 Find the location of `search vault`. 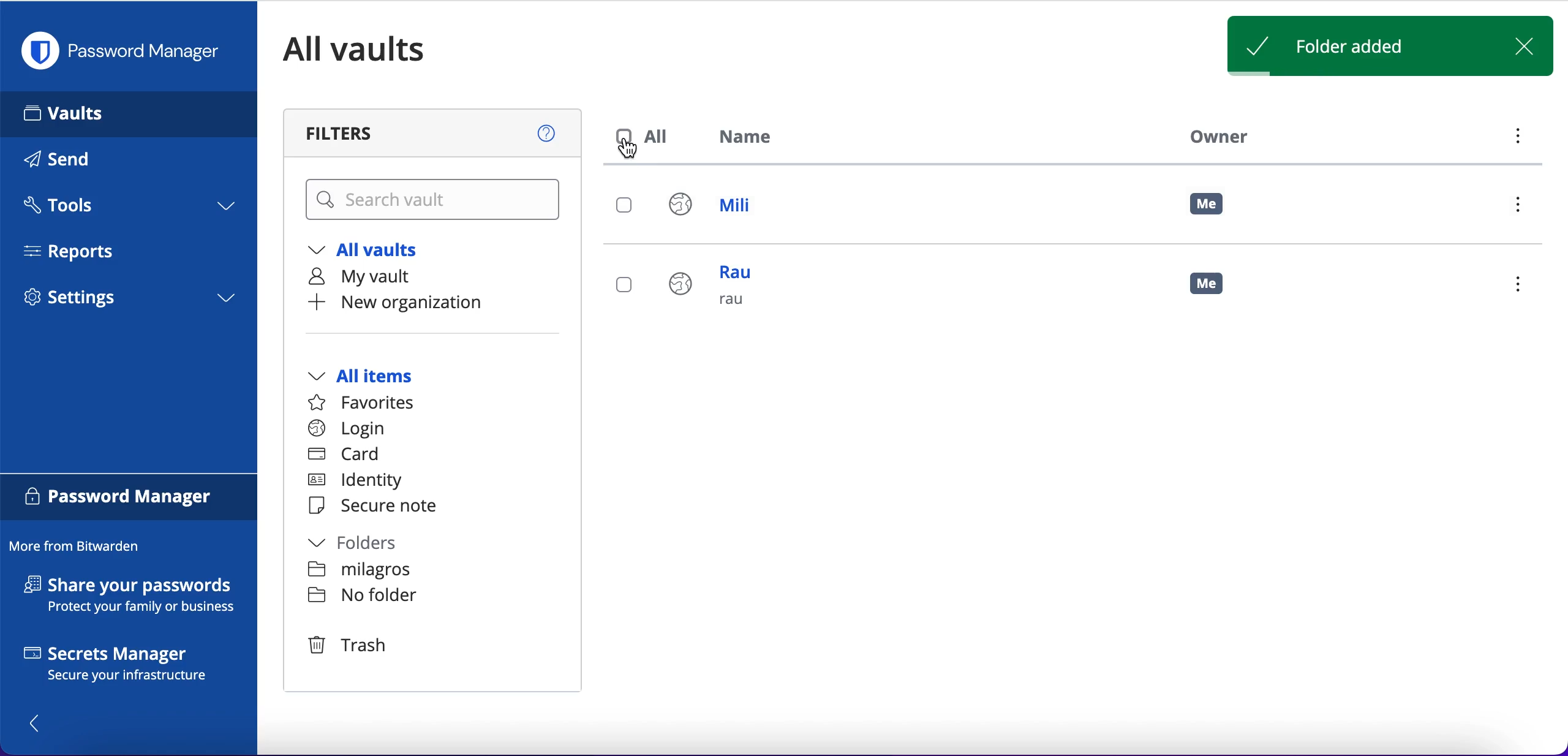

search vault is located at coordinates (435, 200).